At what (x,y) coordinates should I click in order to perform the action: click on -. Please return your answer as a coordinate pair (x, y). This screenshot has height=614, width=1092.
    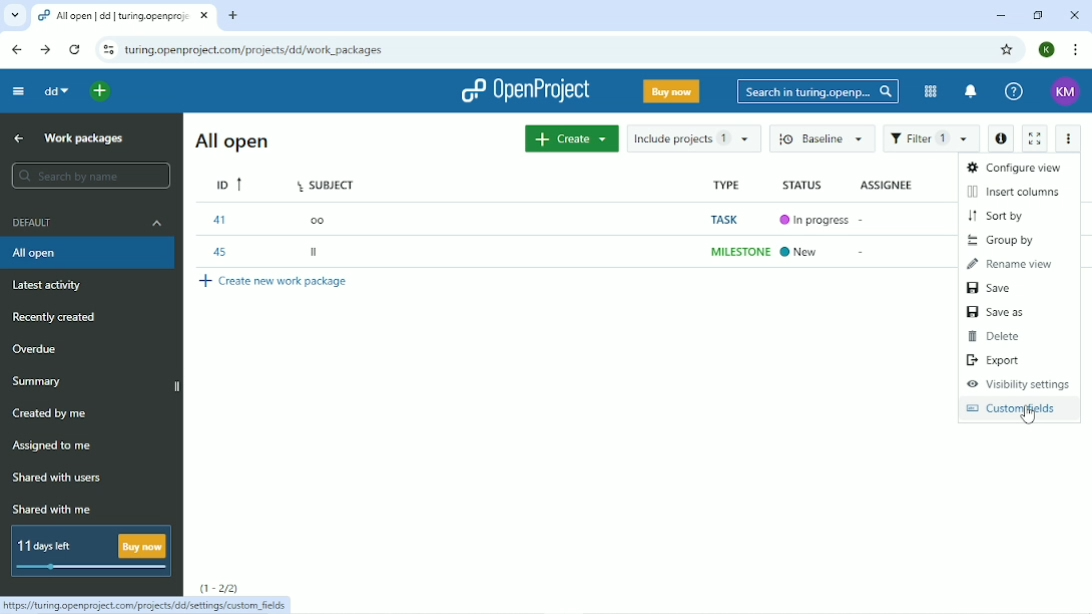
    Looking at the image, I should click on (867, 219).